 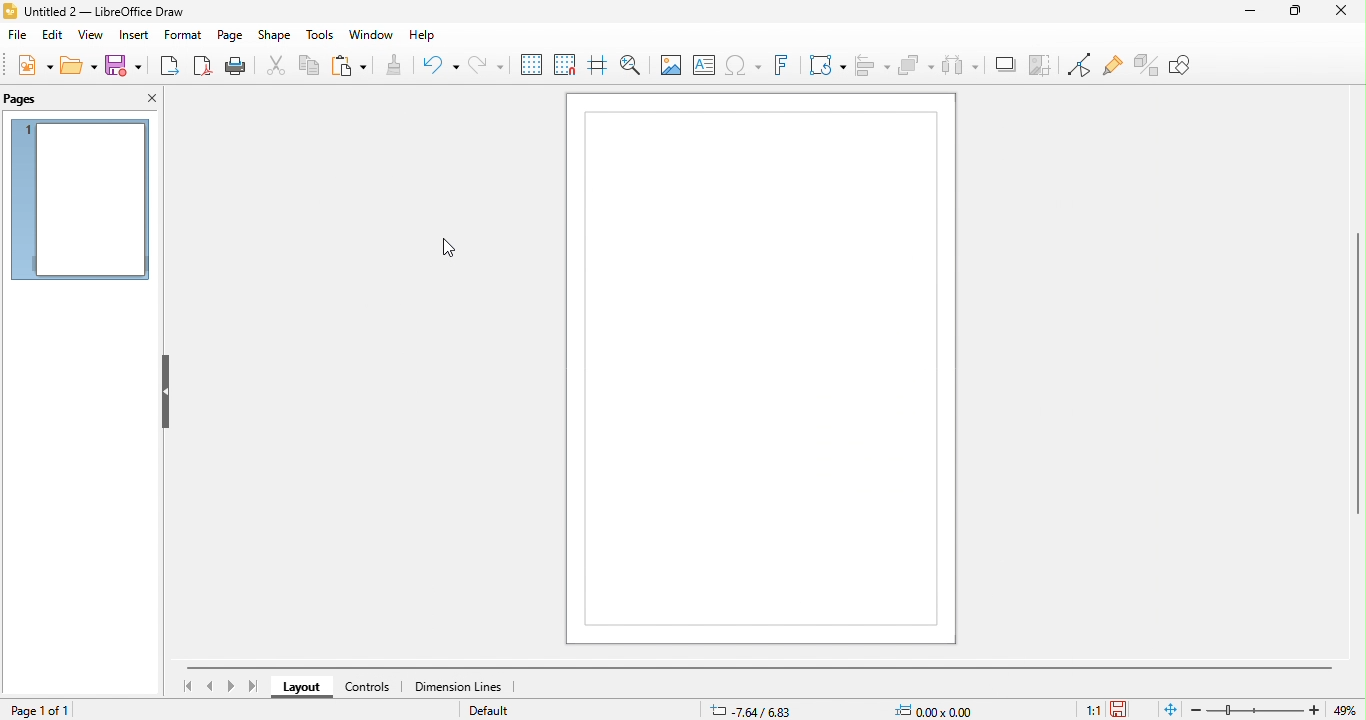 I want to click on fontwork test, so click(x=780, y=66).